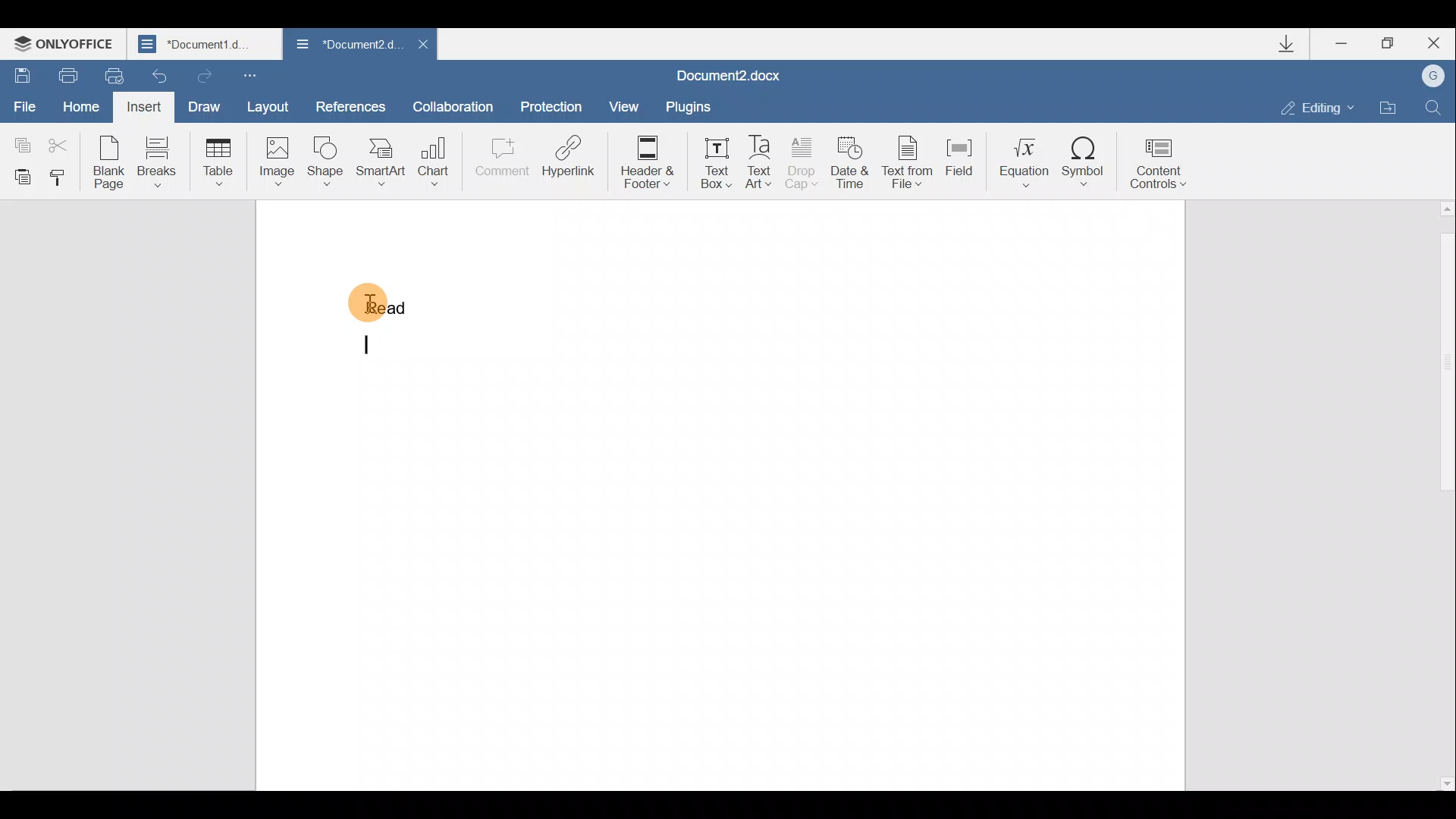 This screenshot has height=819, width=1456. Describe the element at coordinates (276, 161) in the screenshot. I see `Image` at that location.